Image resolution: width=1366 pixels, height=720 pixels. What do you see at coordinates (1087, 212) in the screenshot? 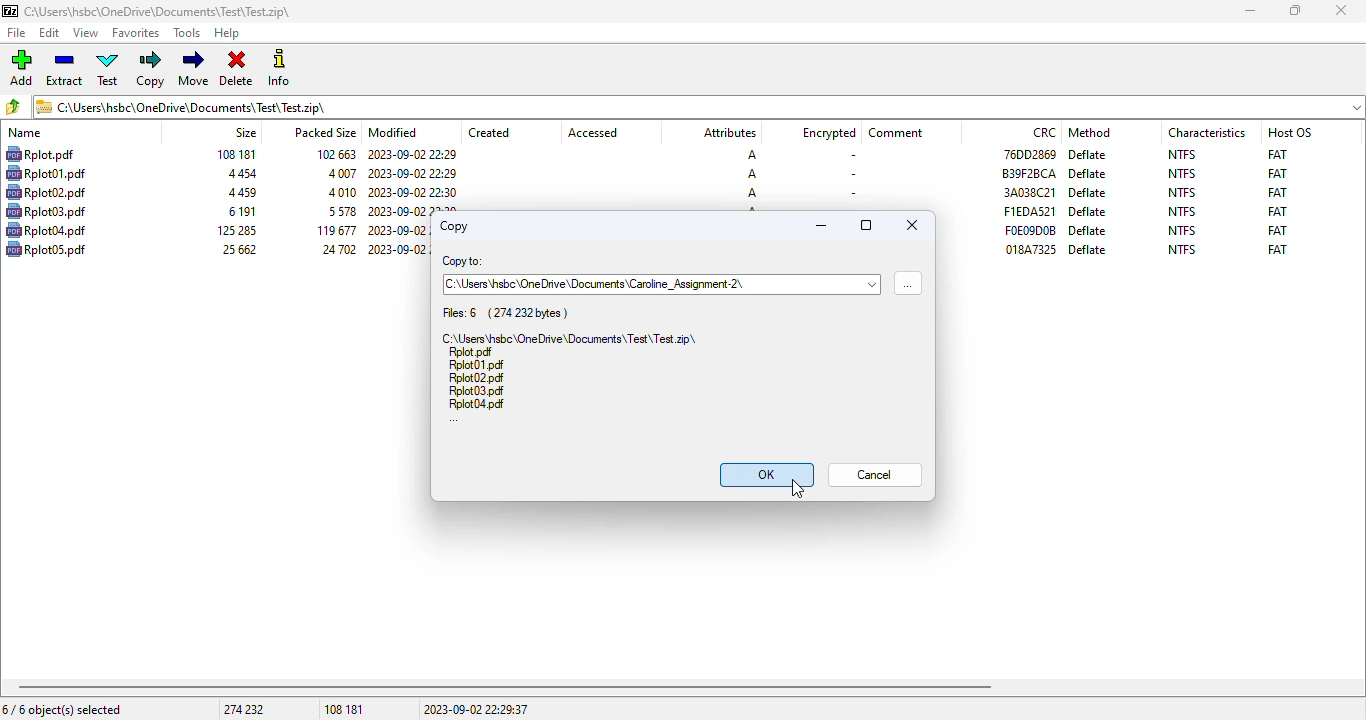
I see `deflate` at bounding box center [1087, 212].